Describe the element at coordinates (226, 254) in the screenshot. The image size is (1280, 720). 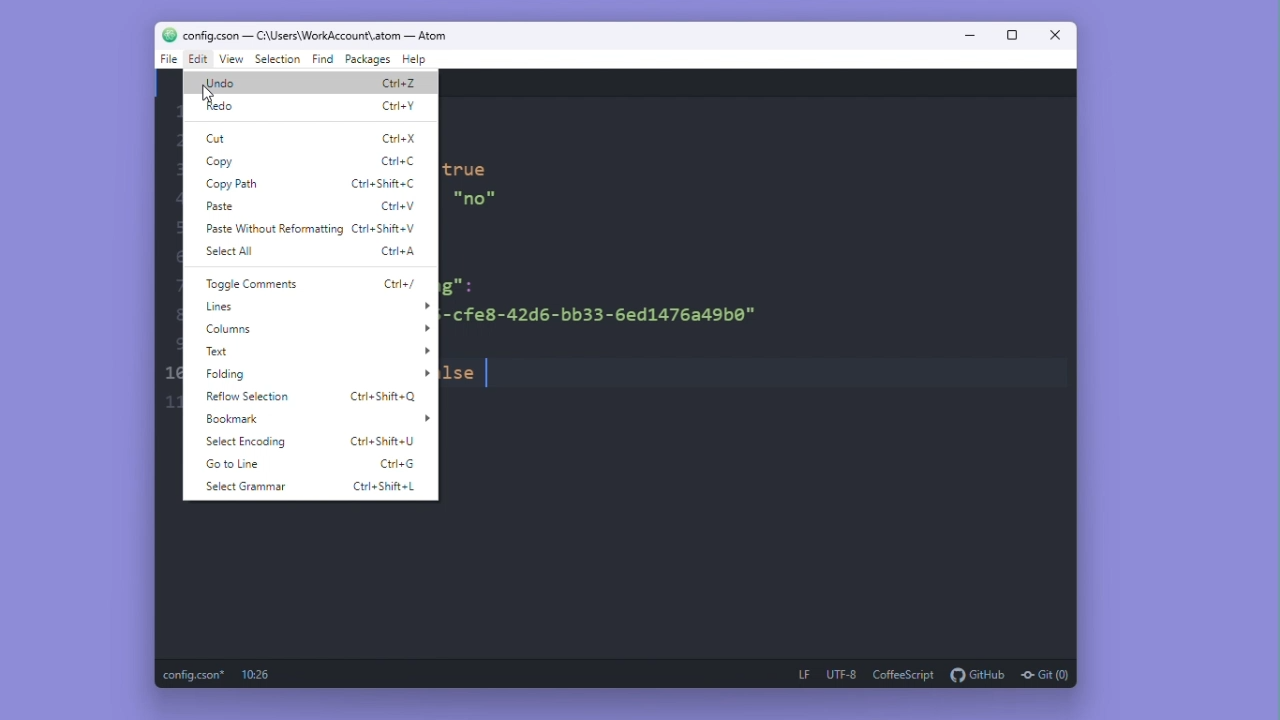
I see `select all` at that location.